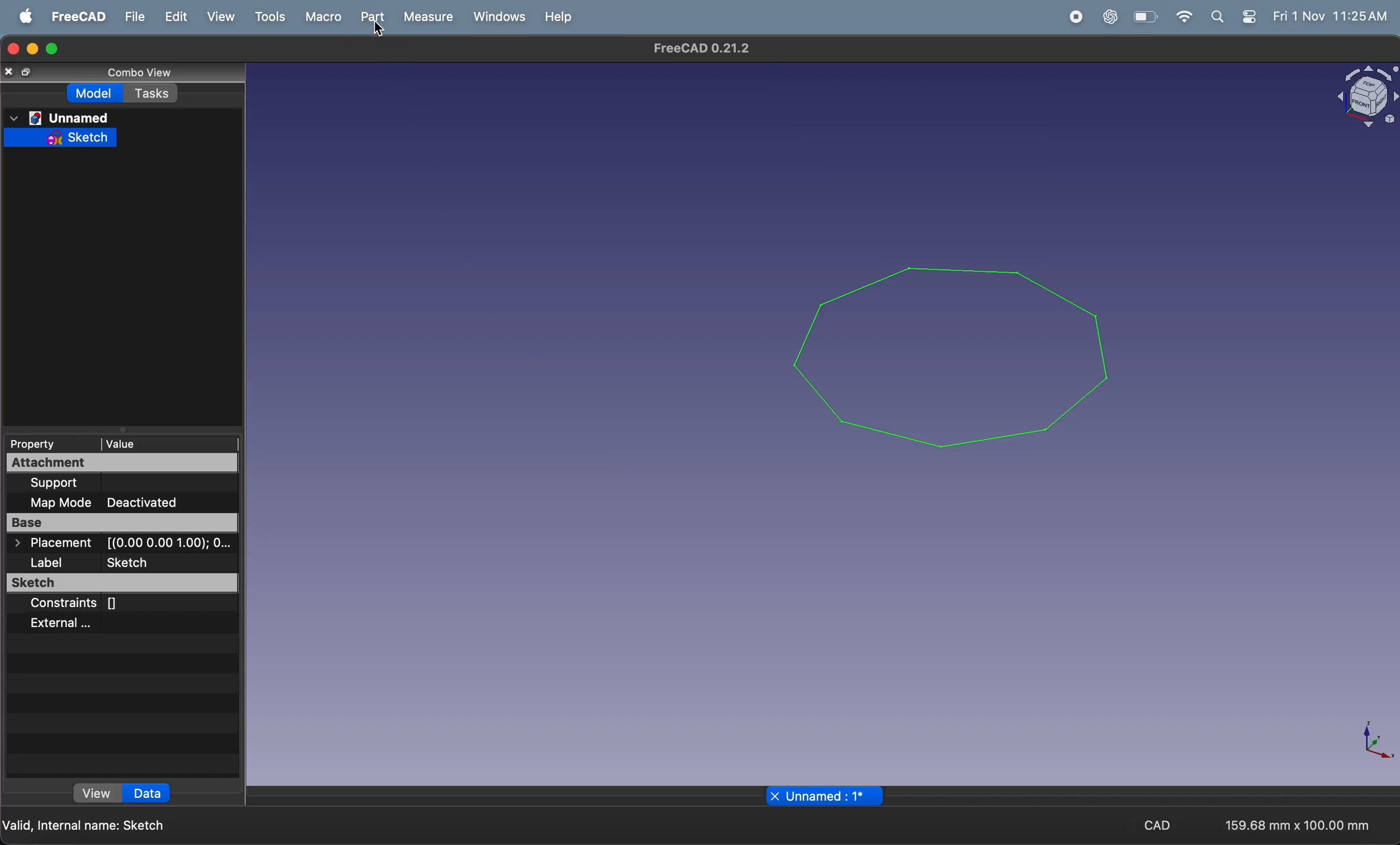  What do you see at coordinates (1164, 825) in the screenshot?
I see `CAD` at bounding box center [1164, 825].